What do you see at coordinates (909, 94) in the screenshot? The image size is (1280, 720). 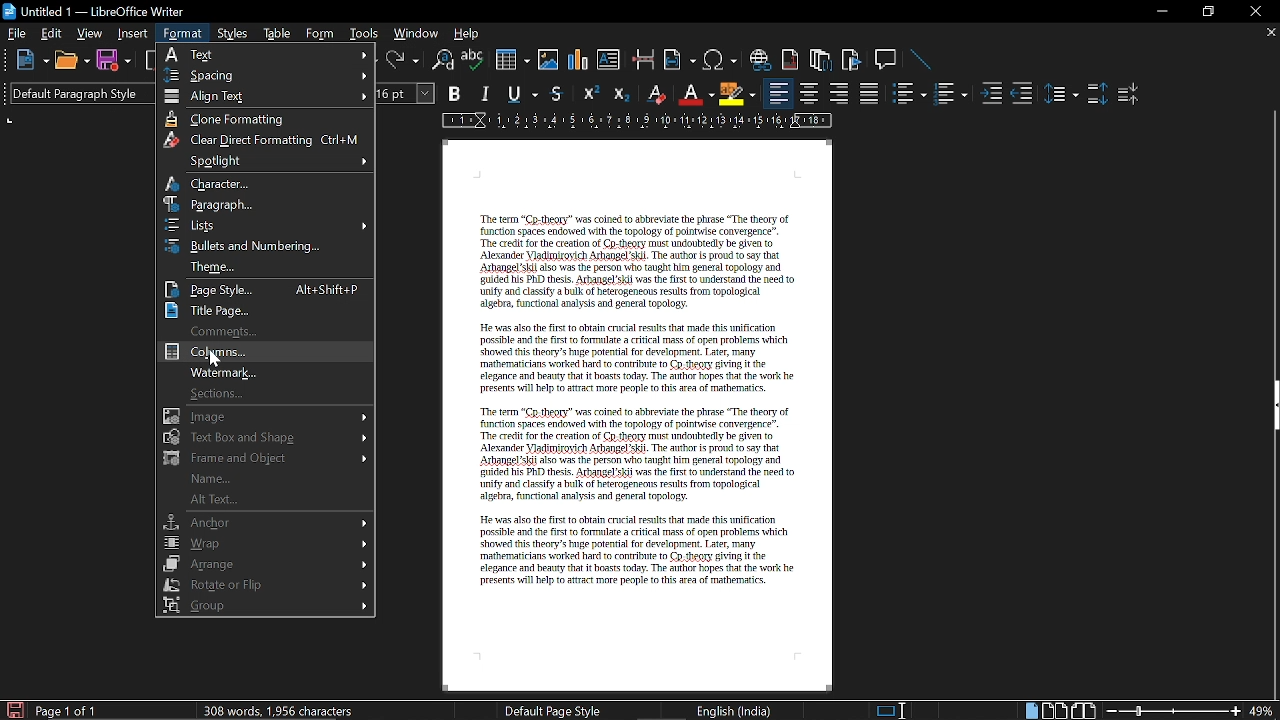 I see `Toggle unordered list` at bounding box center [909, 94].